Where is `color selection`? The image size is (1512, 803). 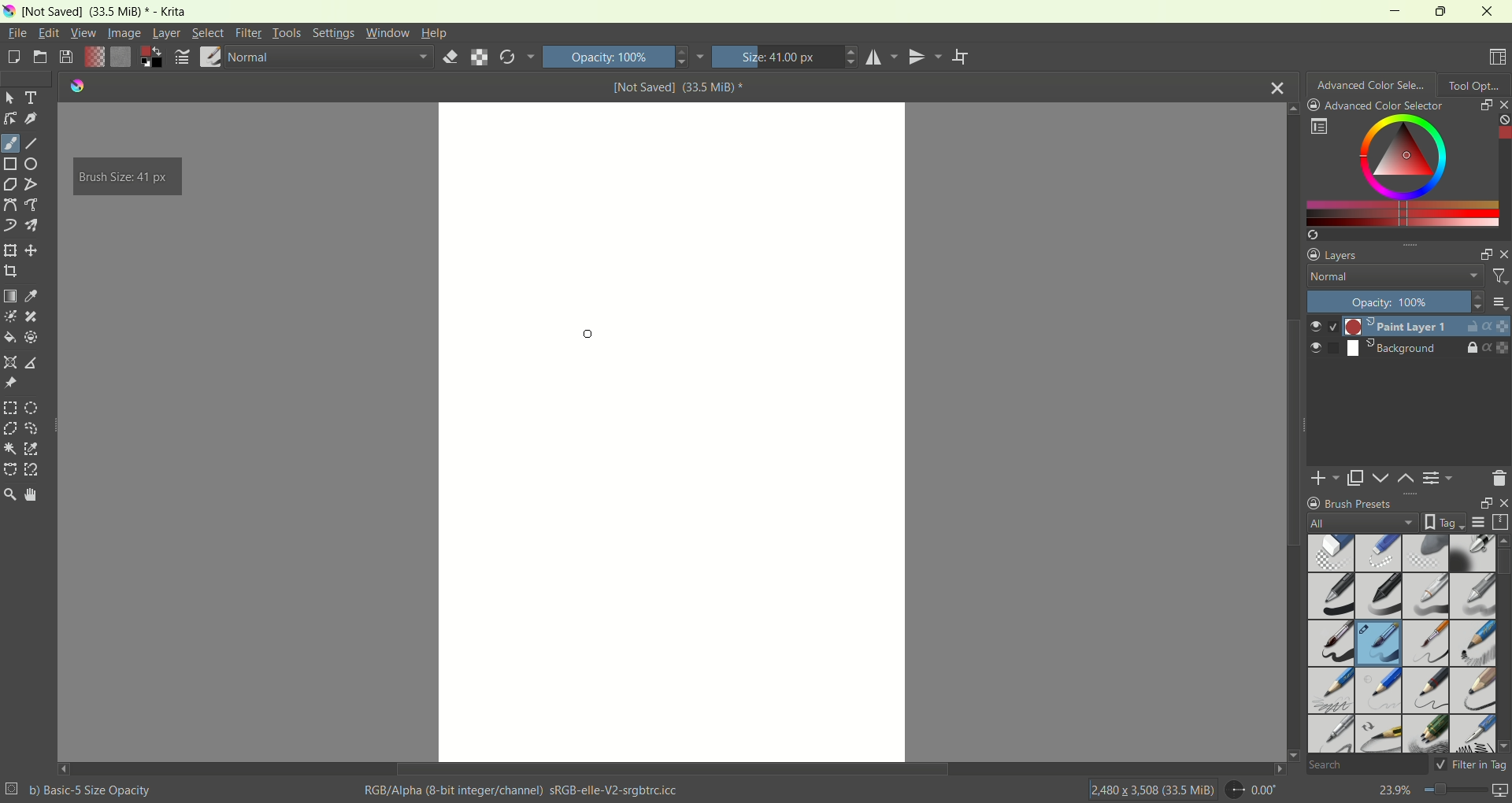
color selection is located at coordinates (1396, 169).